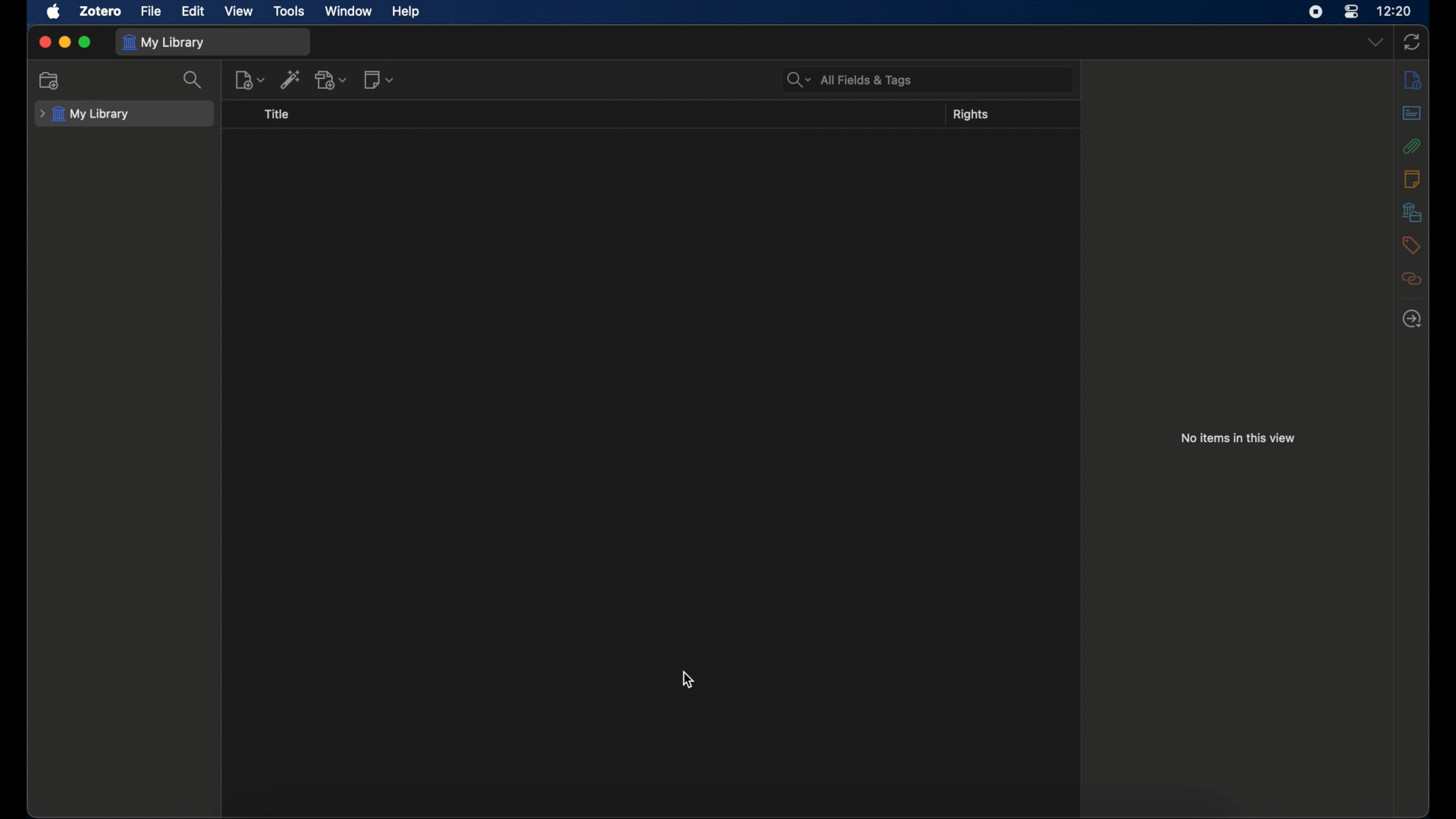  What do you see at coordinates (44, 42) in the screenshot?
I see `close` at bounding box center [44, 42].